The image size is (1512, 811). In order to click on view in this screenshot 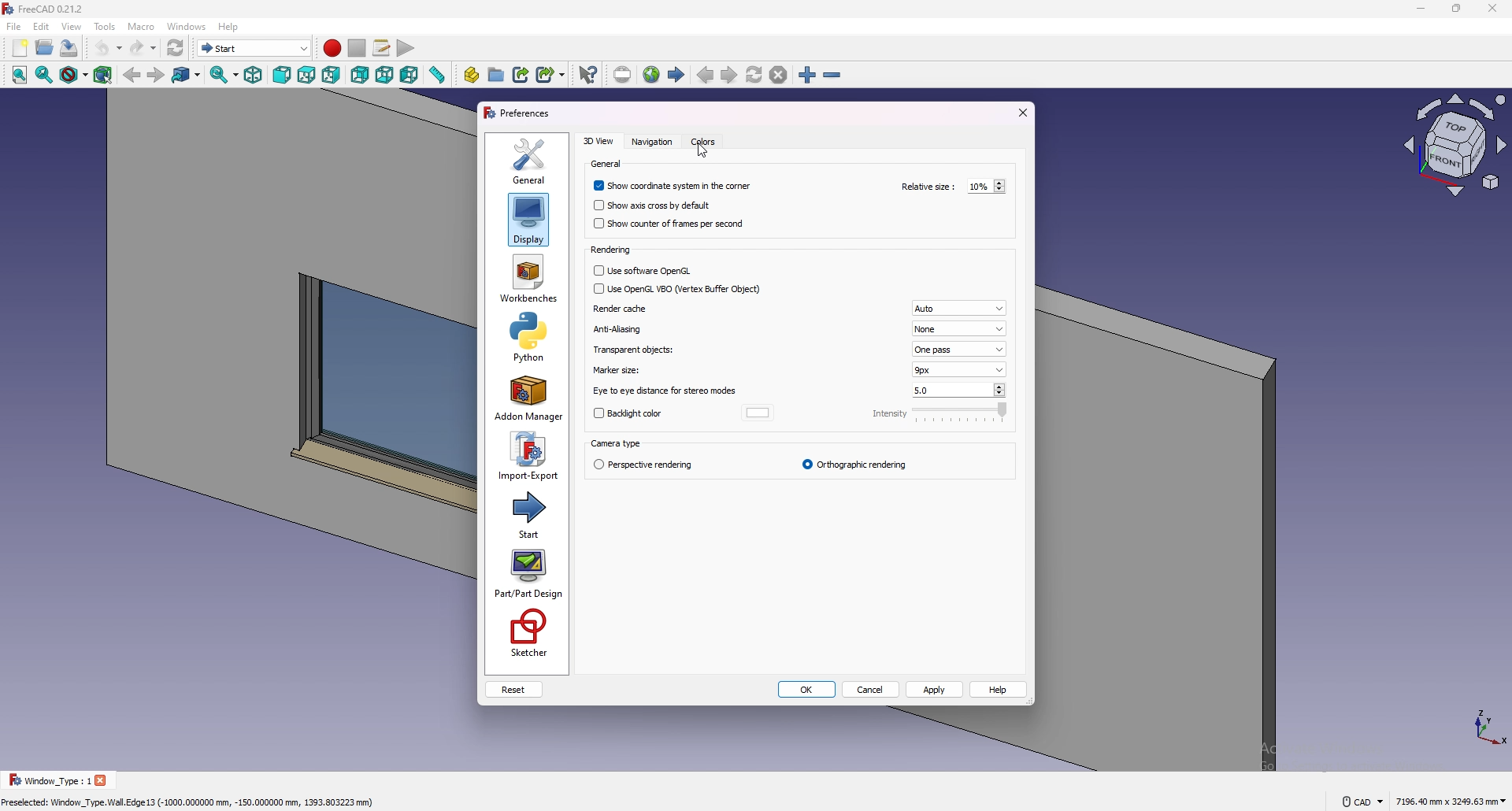, I will do `click(1456, 148)`.